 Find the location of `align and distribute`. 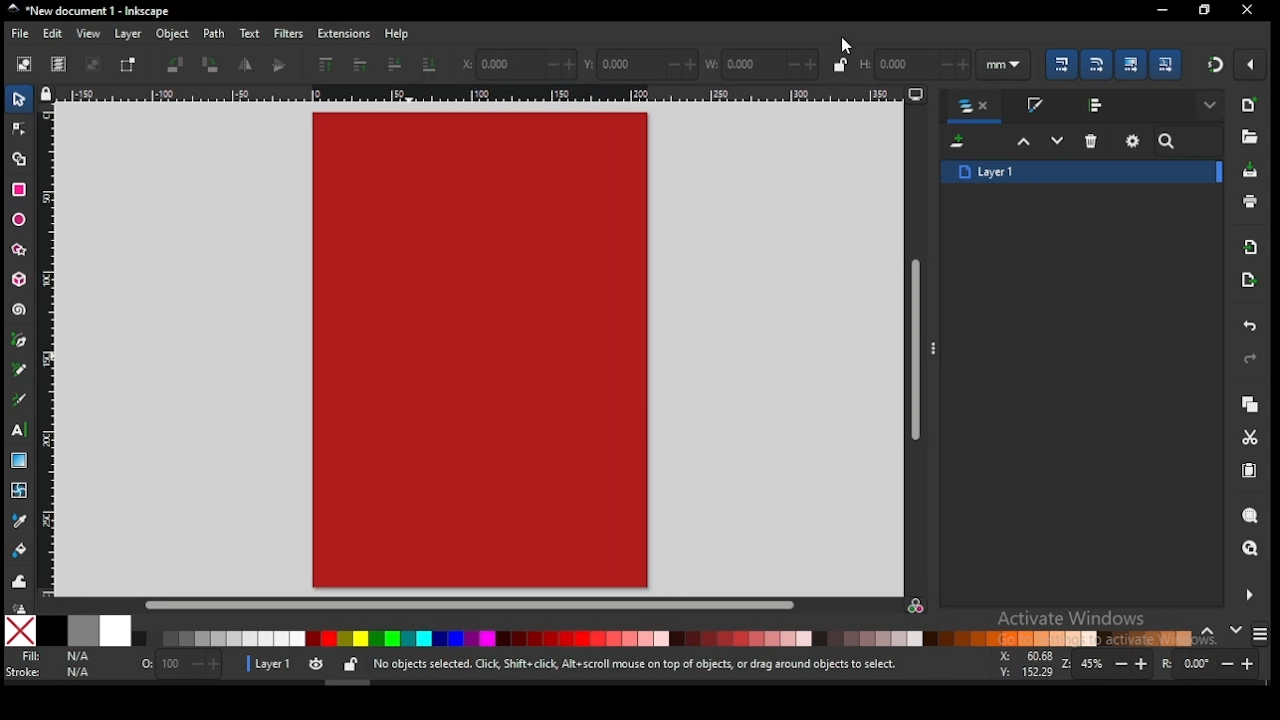

align and distribute is located at coordinates (1098, 104).